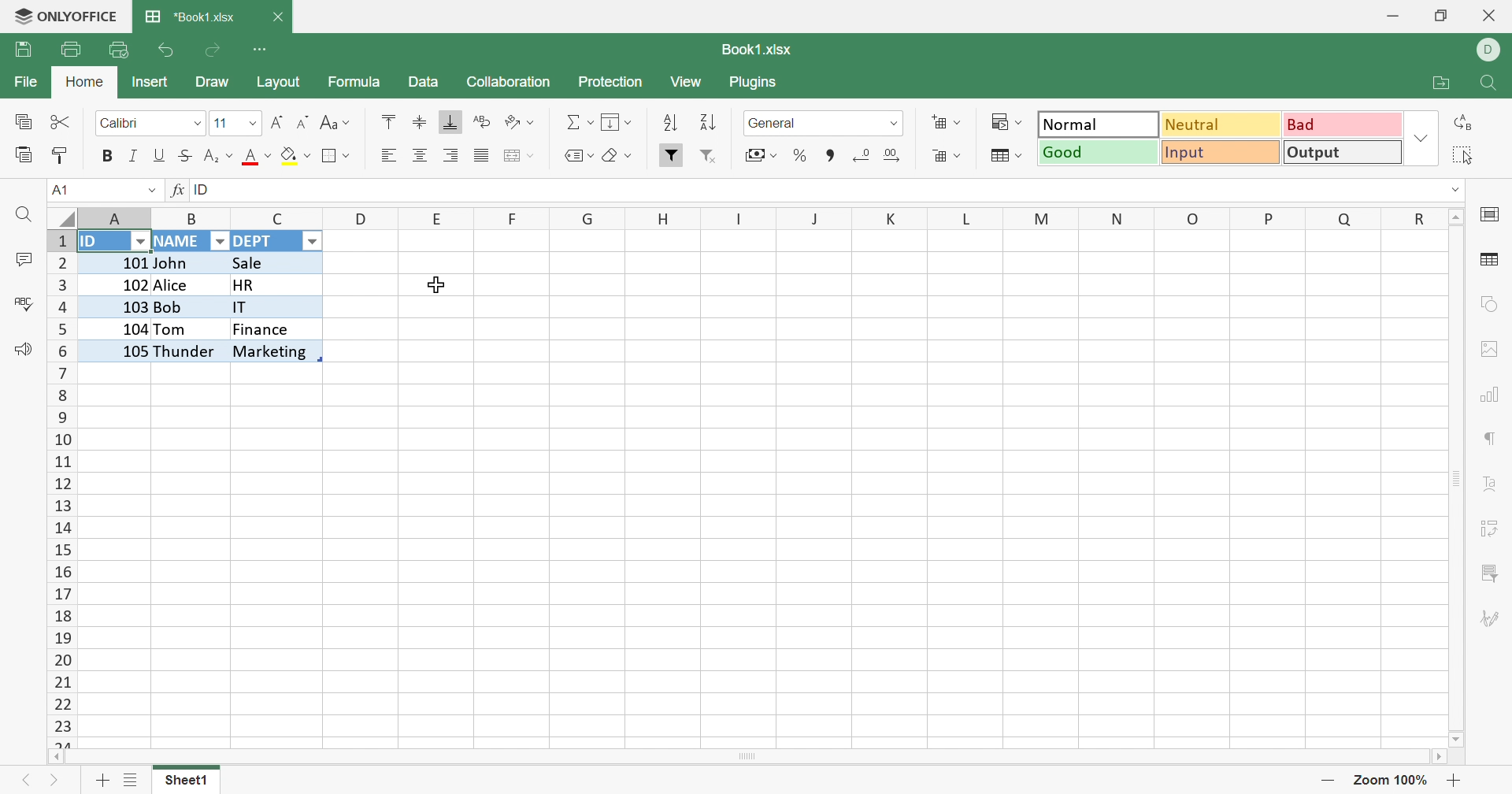 This screenshot has height=794, width=1512. What do you see at coordinates (63, 122) in the screenshot?
I see `Cut` at bounding box center [63, 122].